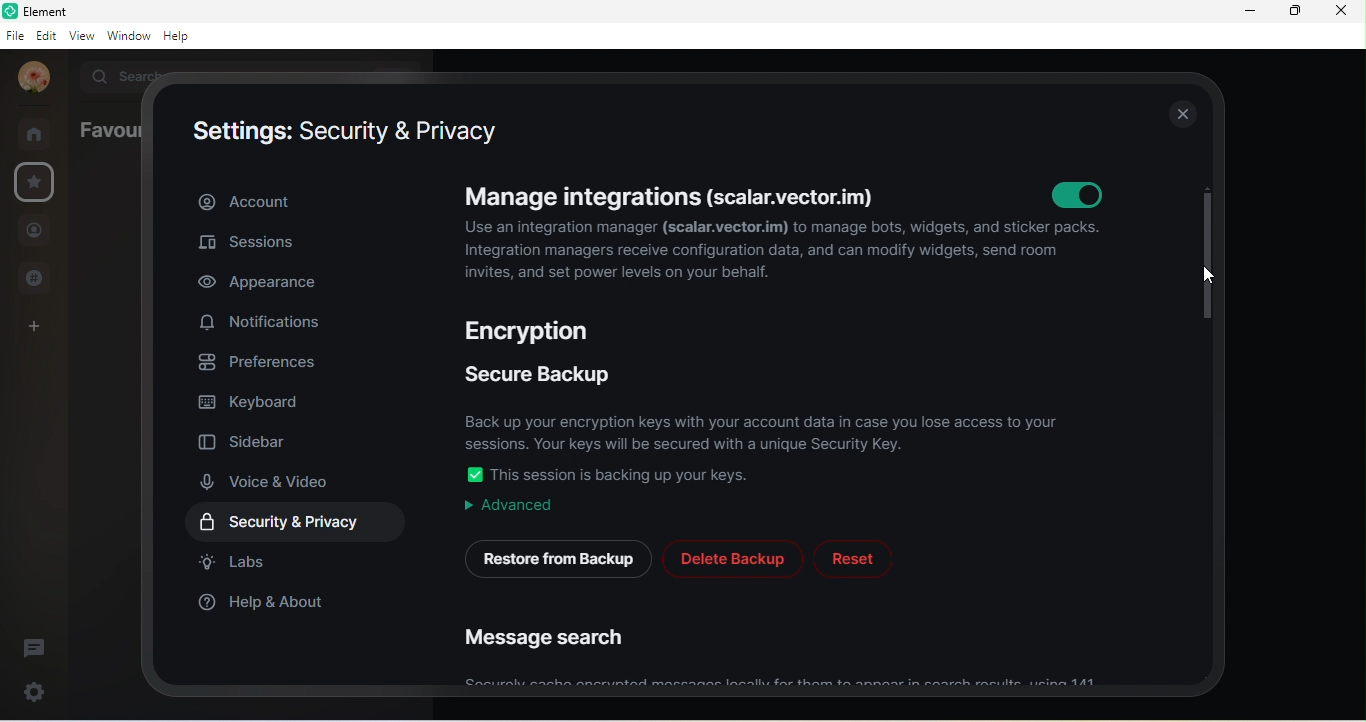  I want to click on minimize, so click(1252, 11).